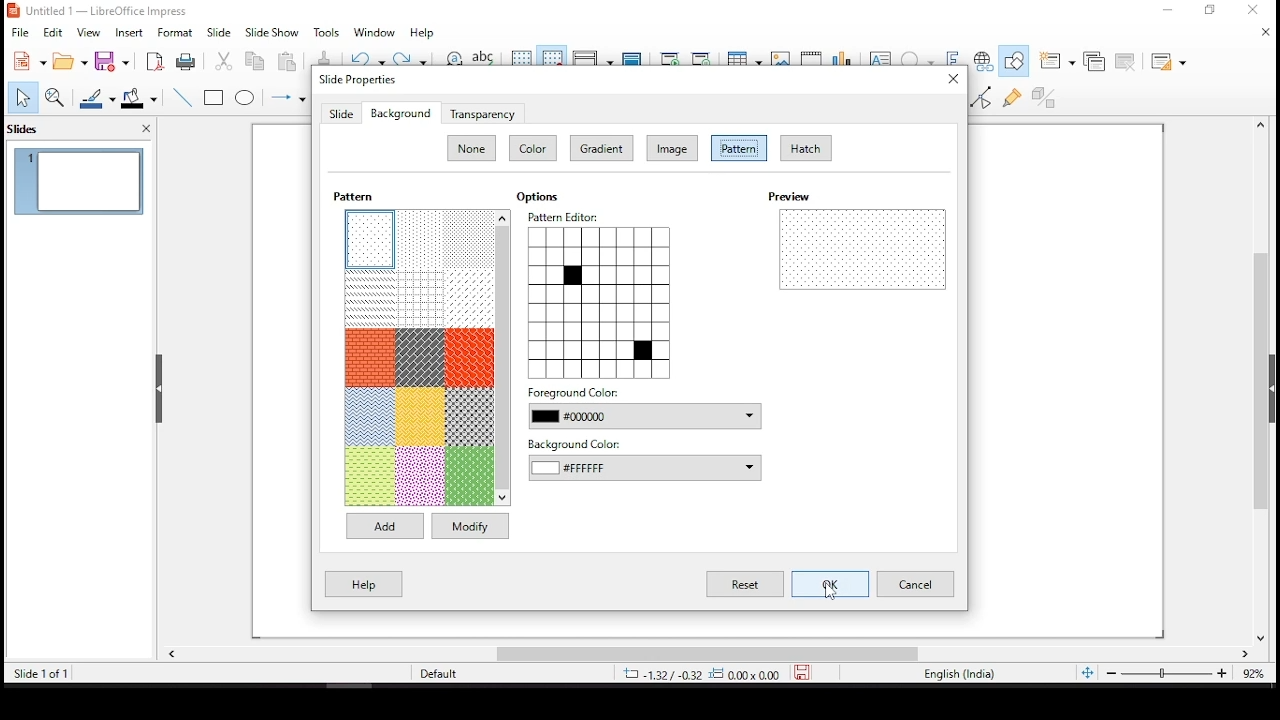 The width and height of the screenshot is (1280, 720). Describe the element at coordinates (1014, 97) in the screenshot. I see `show gluepoint functions` at that location.